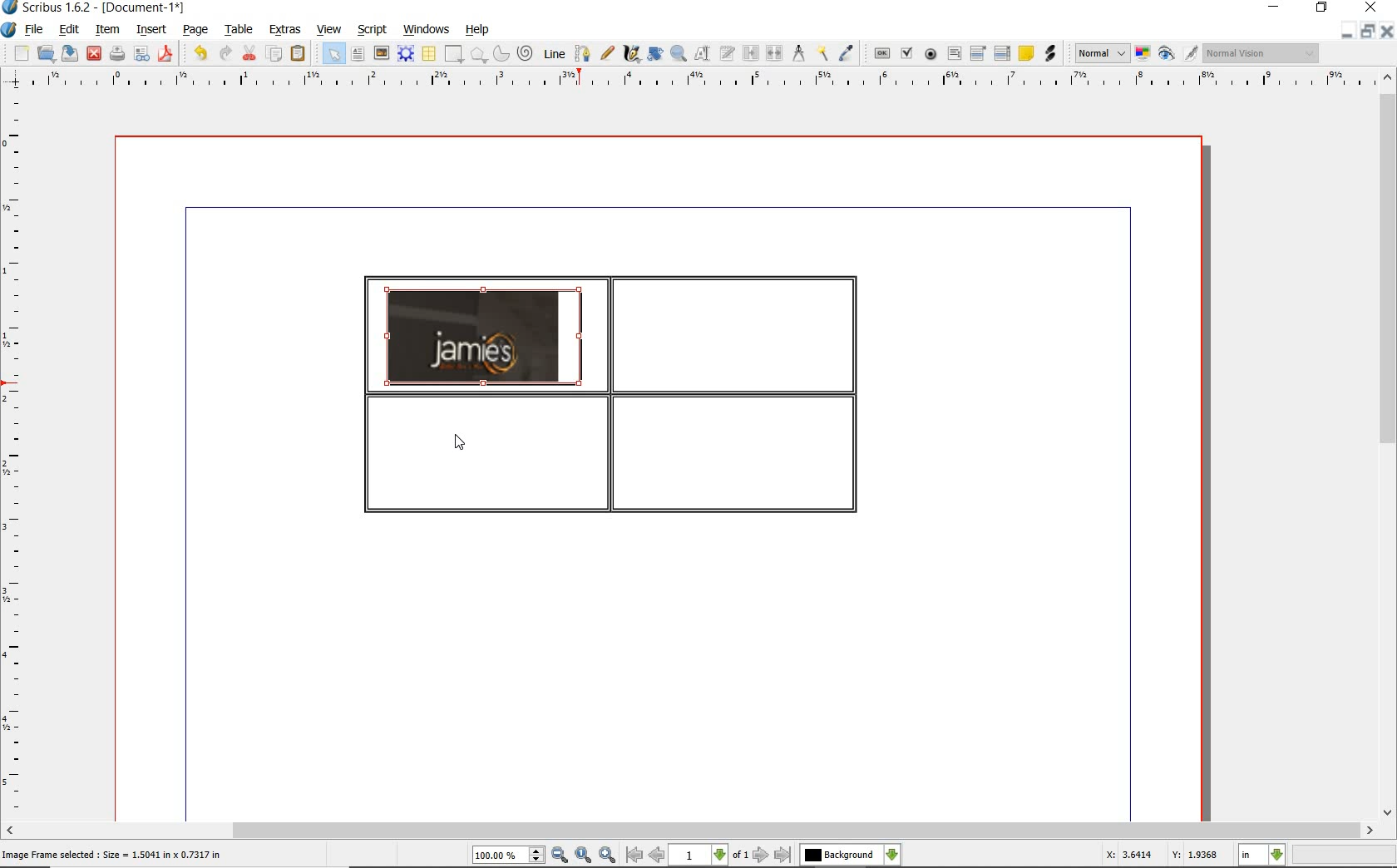 The width and height of the screenshot is (1397, 868). What do you see at coordinates (1002, 53) in the screenshot?
I see `PDF List Box` at bounding box center [1002, 53].